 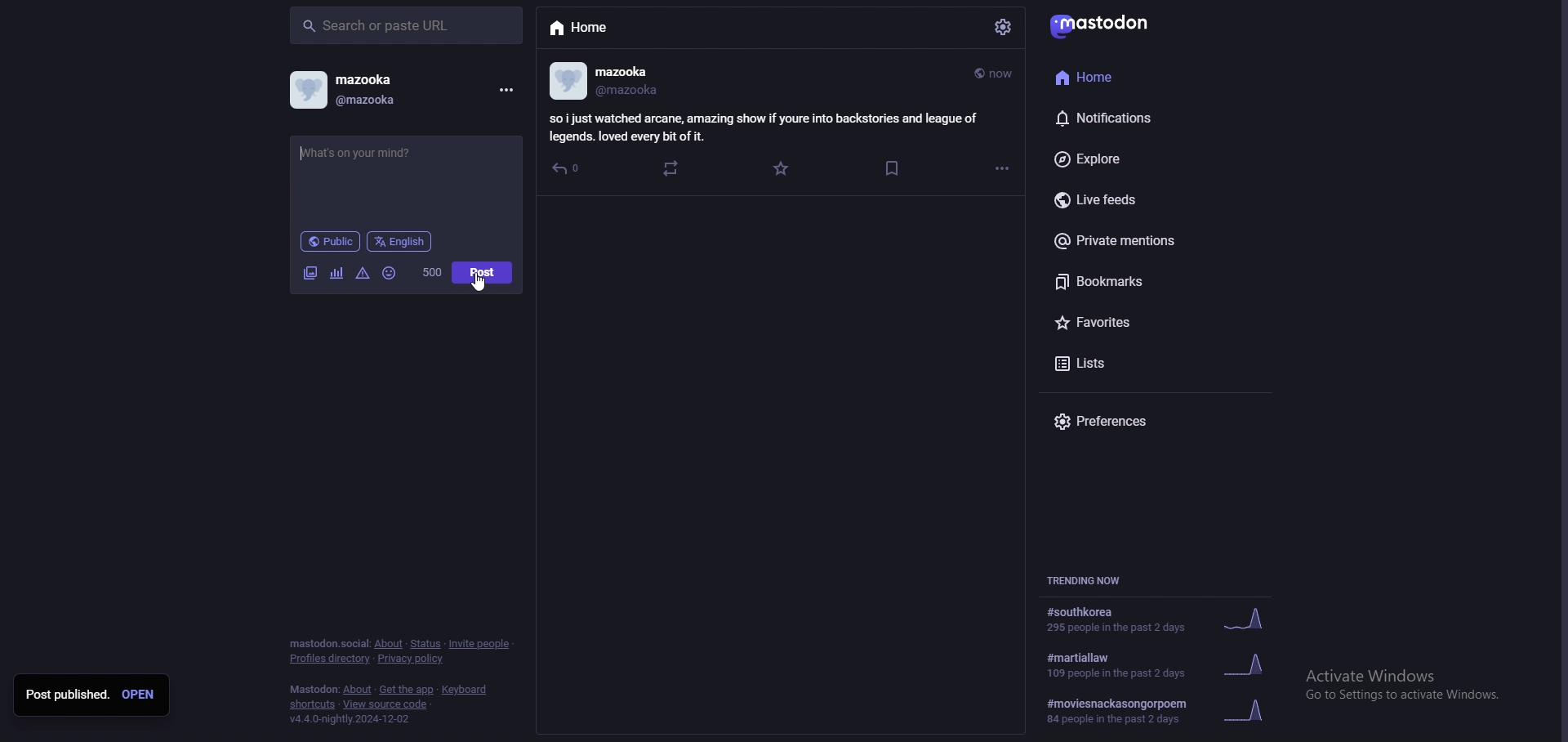 I want to click on mastodon, so click(x=311, y=689).